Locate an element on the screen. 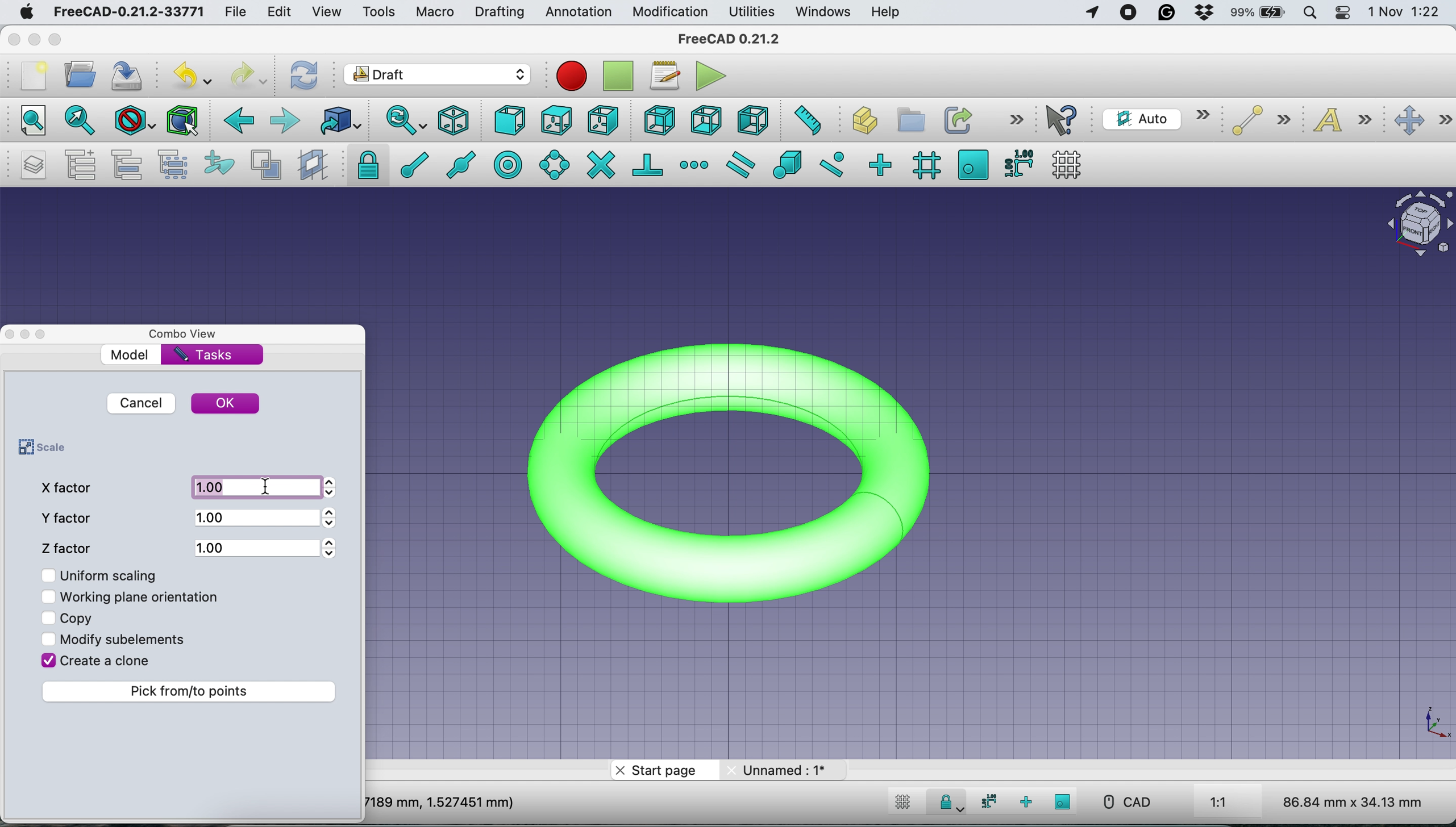 This screenshot has height=827, width=1456. Checkbox is located at coordinates (47, 573).